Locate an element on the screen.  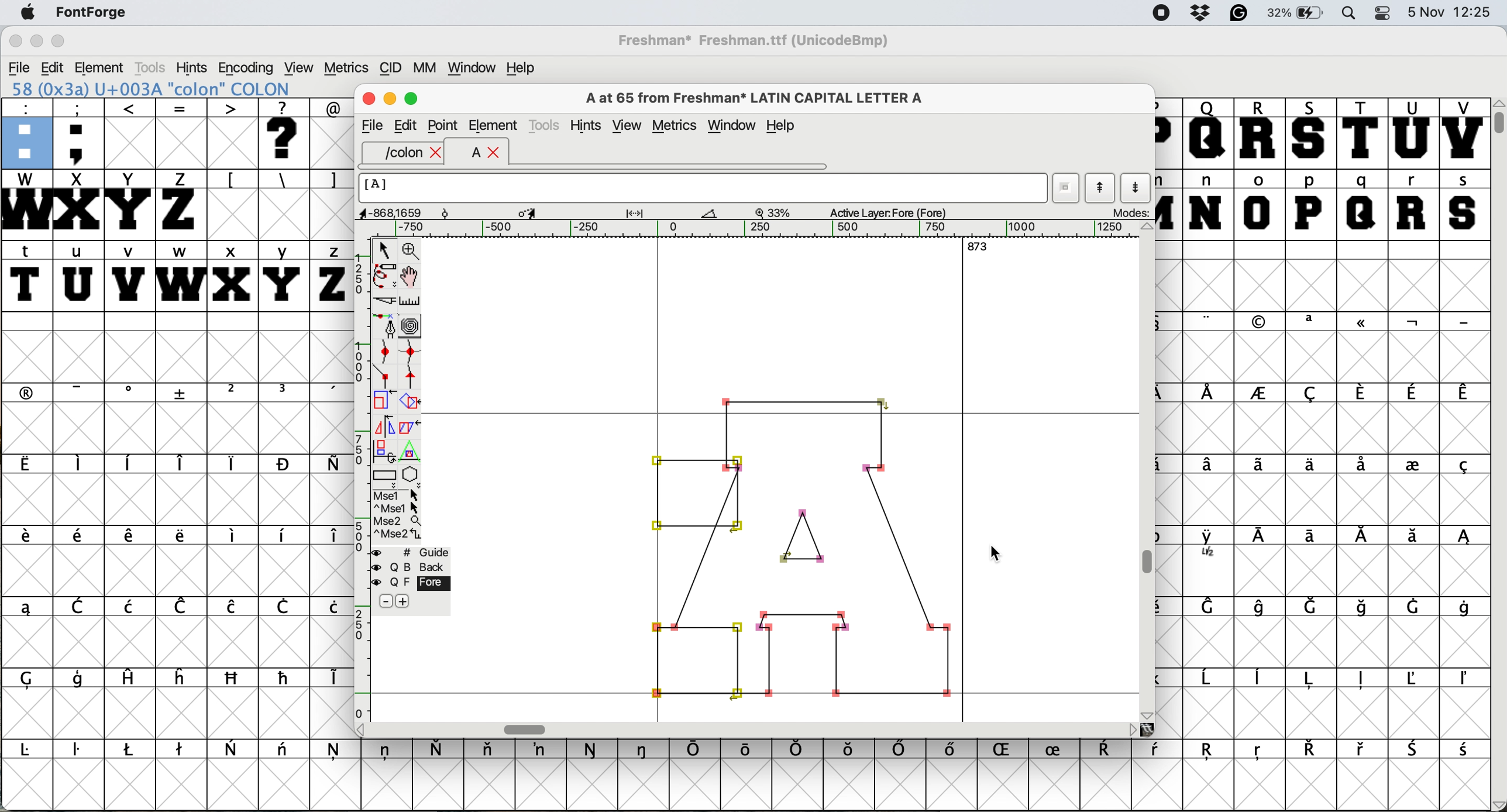
u is located at coordinates (78, 277).